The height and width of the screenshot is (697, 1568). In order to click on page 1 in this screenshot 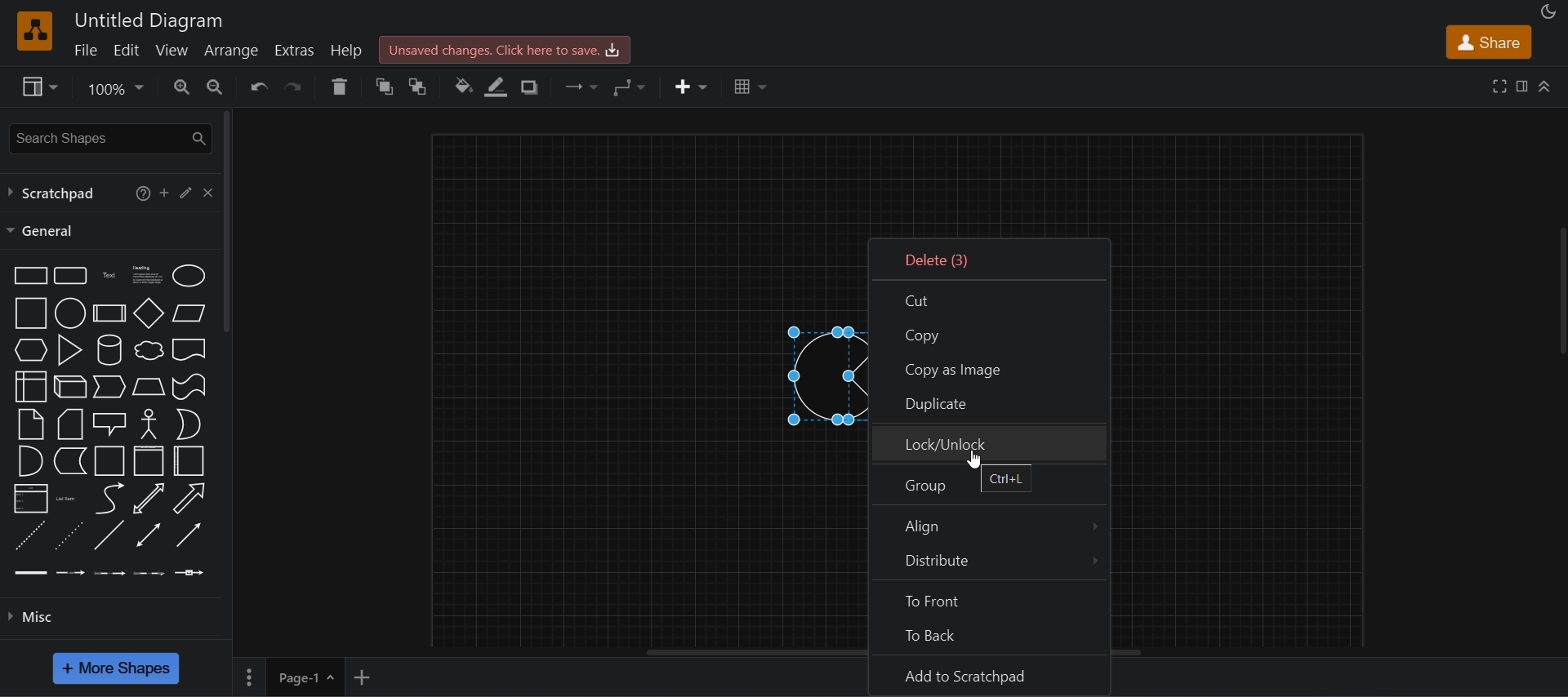, I will do `click(305, 677)`.